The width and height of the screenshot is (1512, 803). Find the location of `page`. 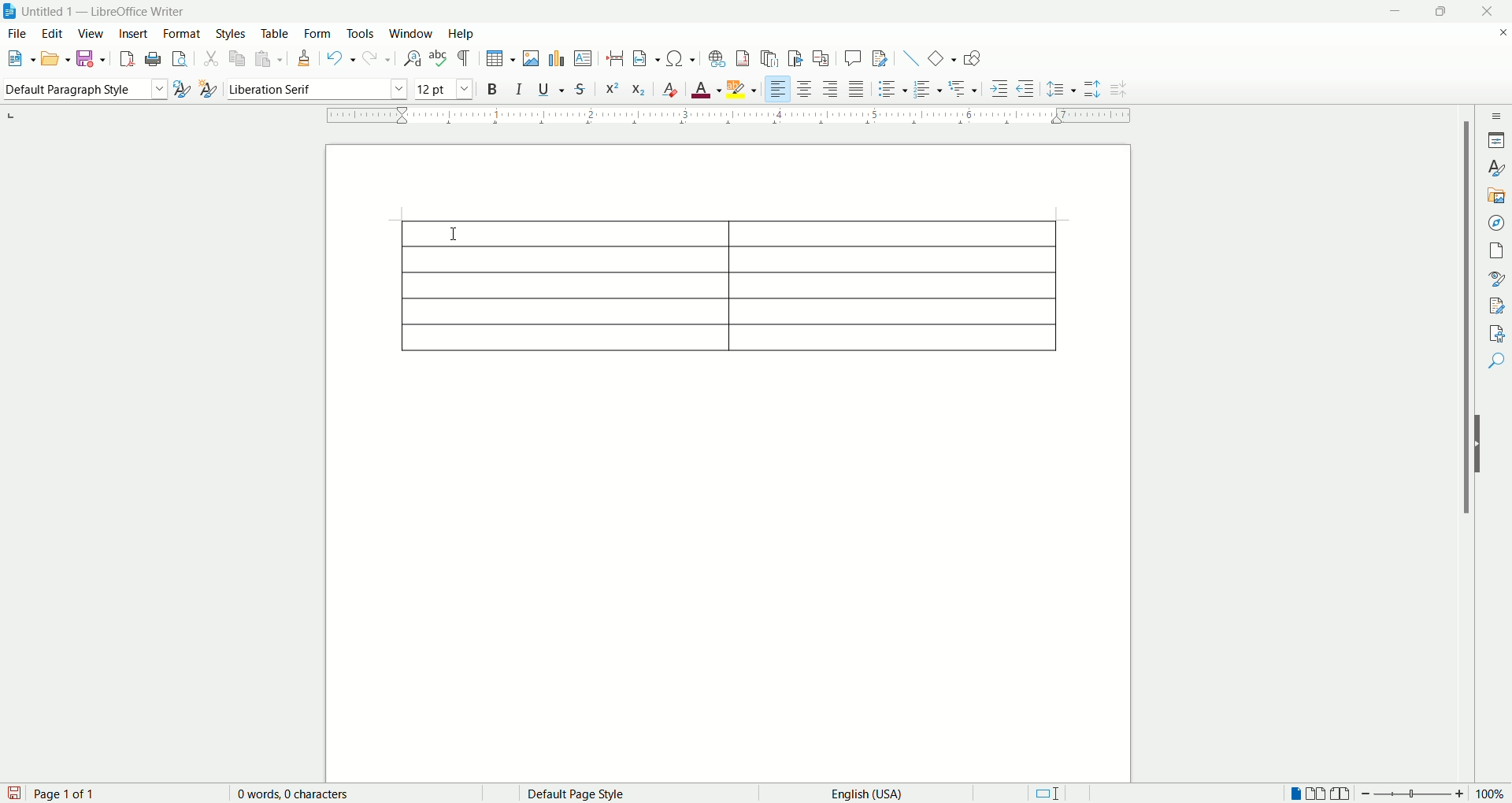

page is located at coordinates (728, 458).